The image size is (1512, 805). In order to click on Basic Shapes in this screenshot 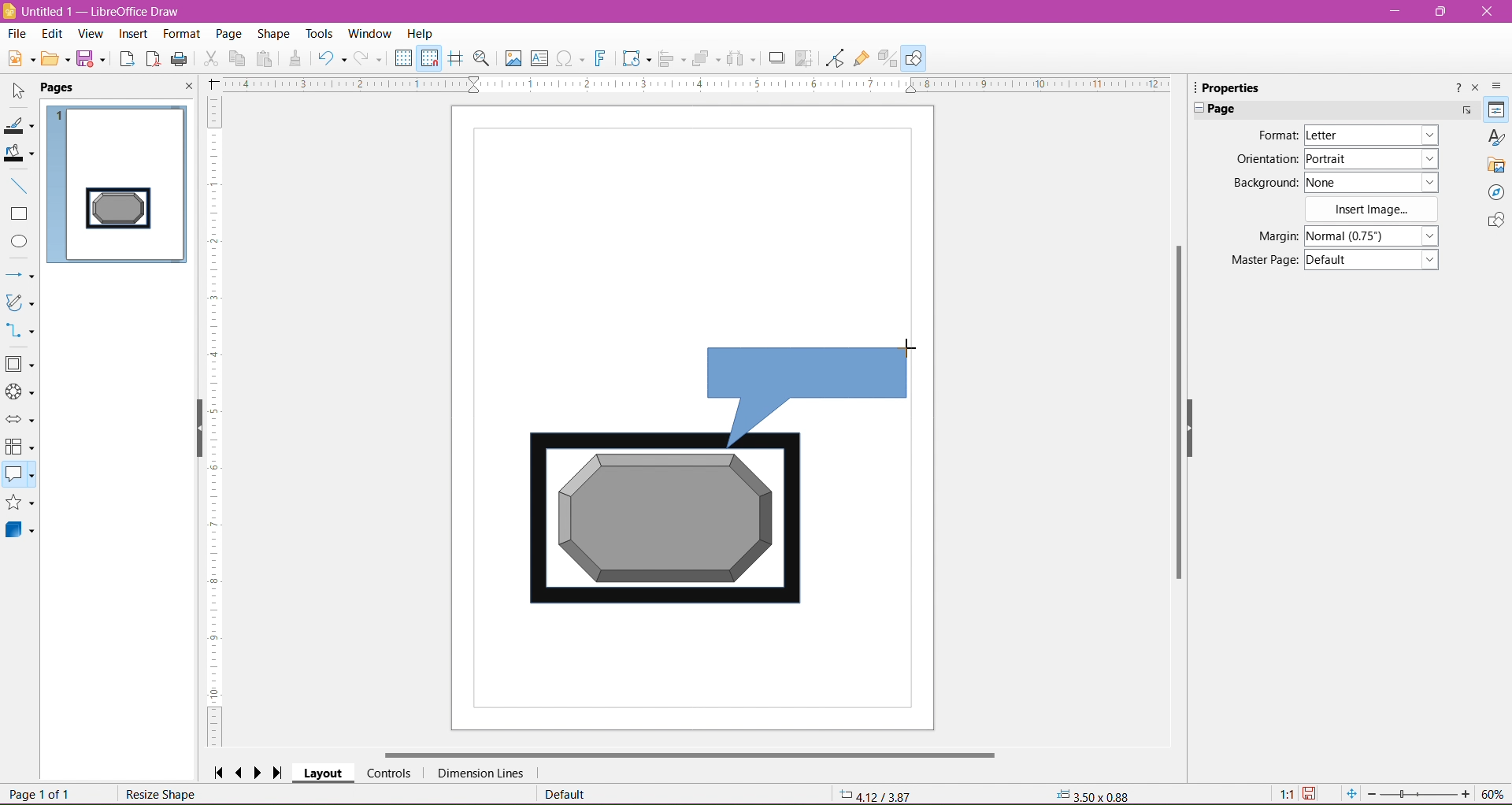, I will do `click(21, 365)`.